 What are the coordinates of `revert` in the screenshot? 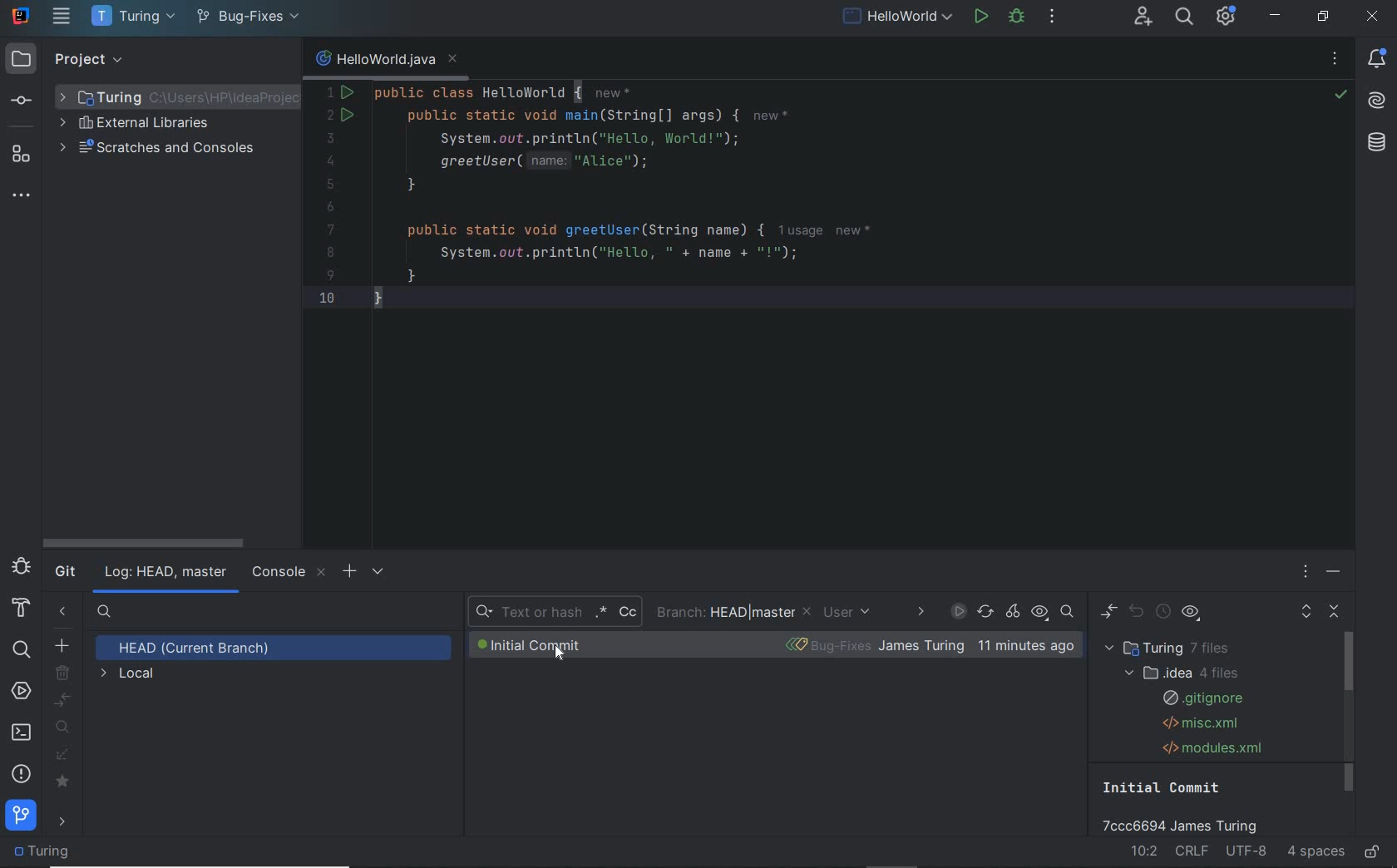 It's located at (1138, 613).